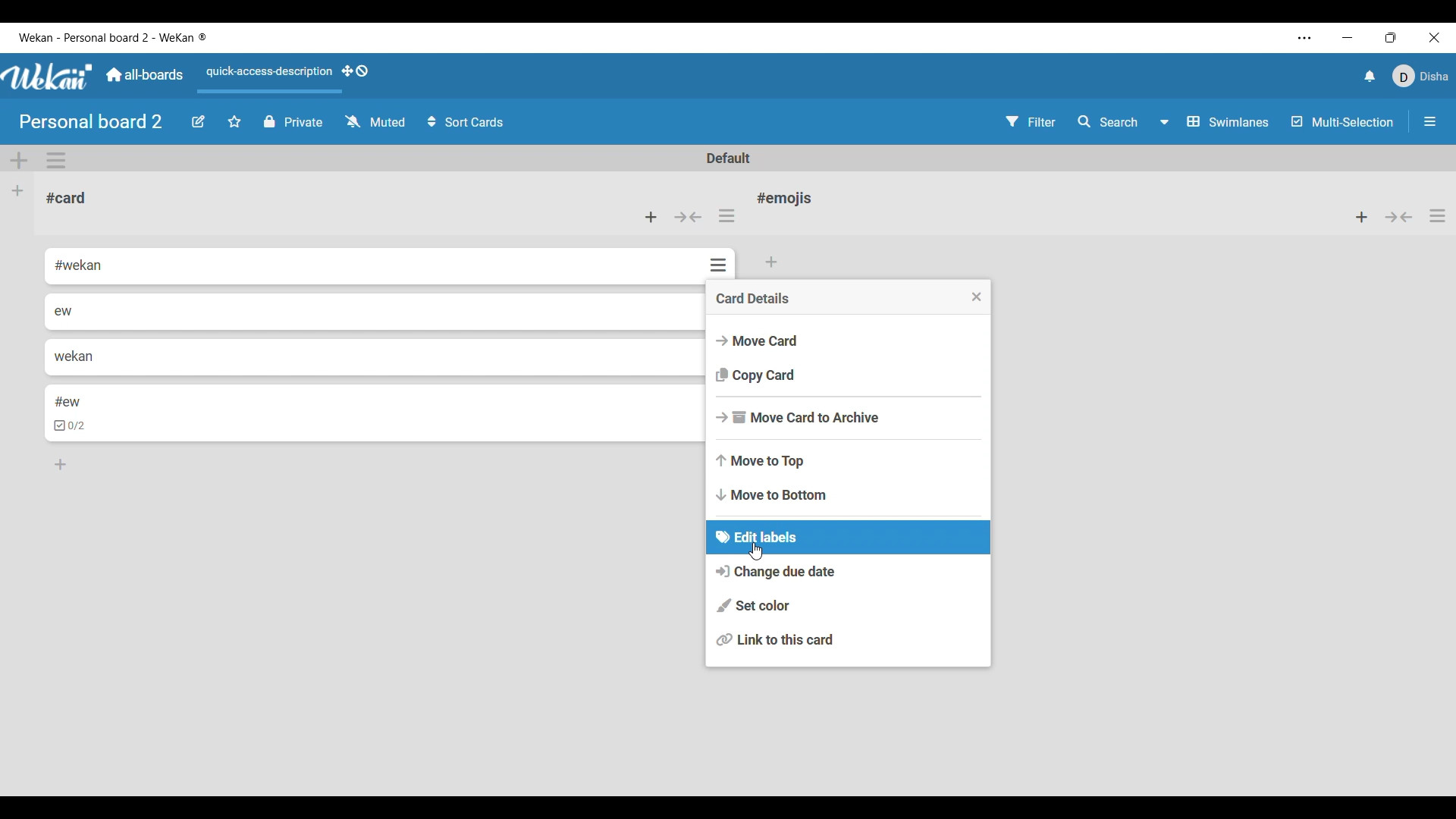 This screenshot has height=819, width=1456. What do you see at coordinates (1361, 217) in the screenshot?
I see `Add card to top of list` at bounding box center [1361, 217].